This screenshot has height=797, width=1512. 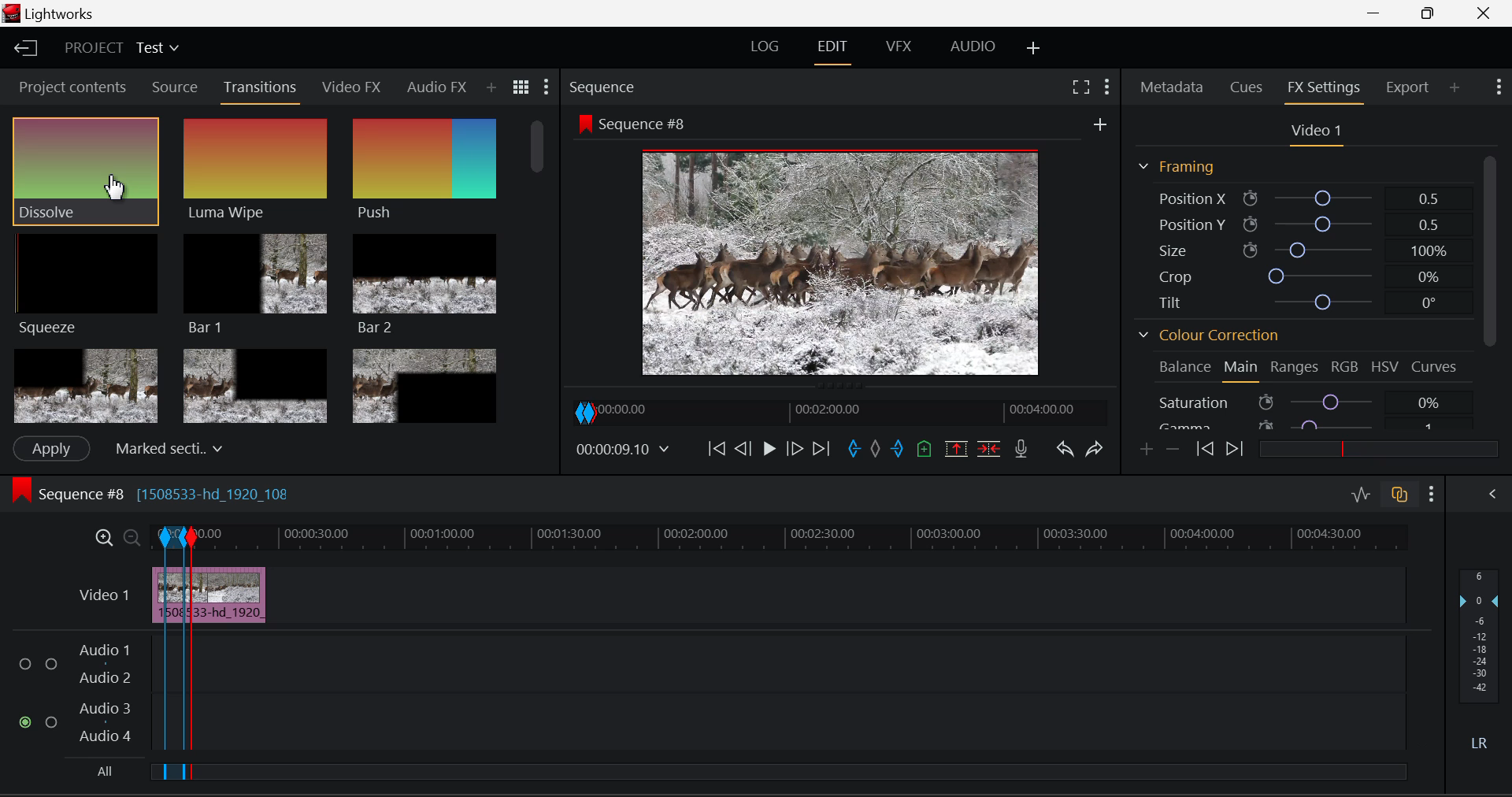 I want to click on Project contents, so click(x=70, y=86).